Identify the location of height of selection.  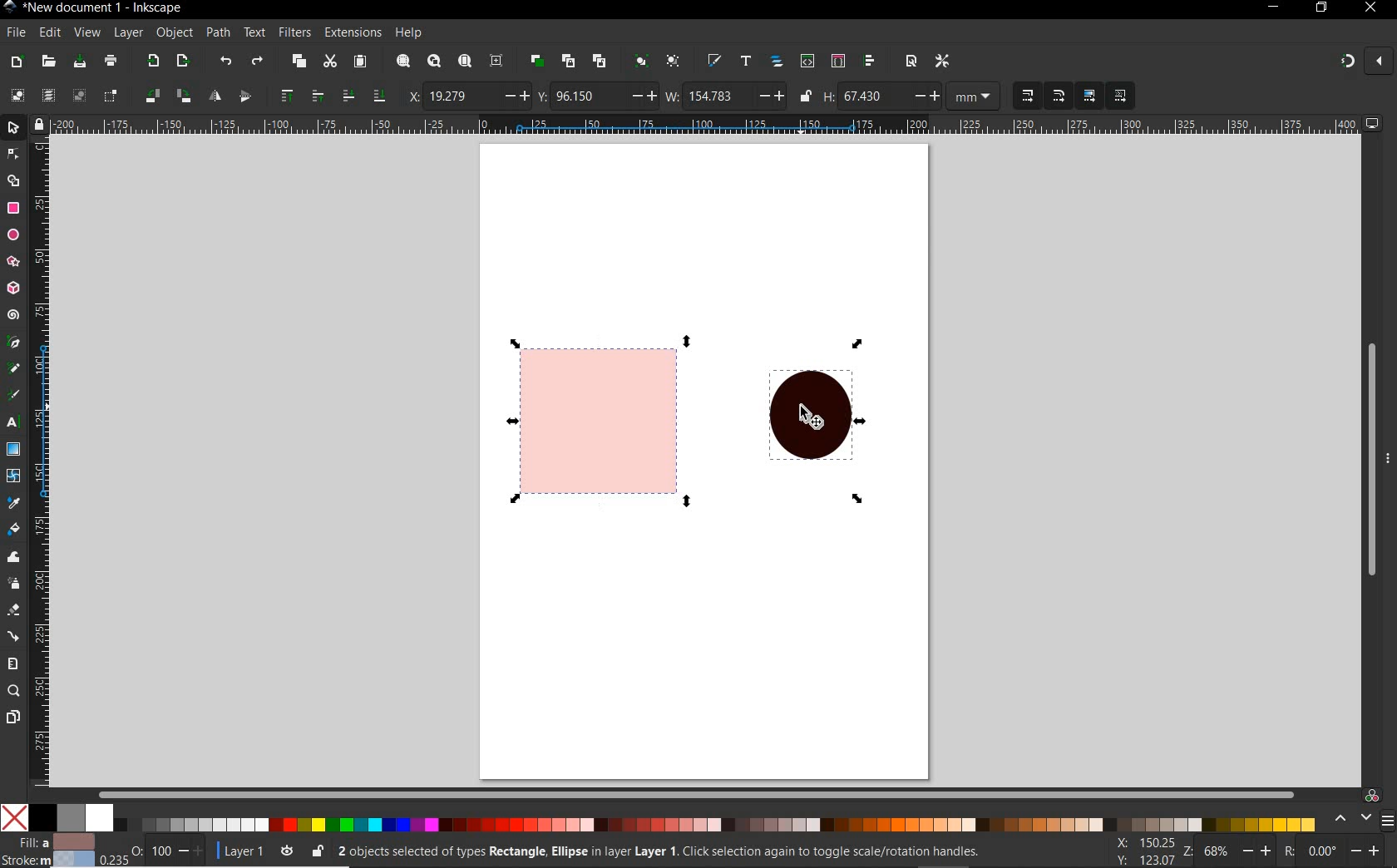
(914, 96).